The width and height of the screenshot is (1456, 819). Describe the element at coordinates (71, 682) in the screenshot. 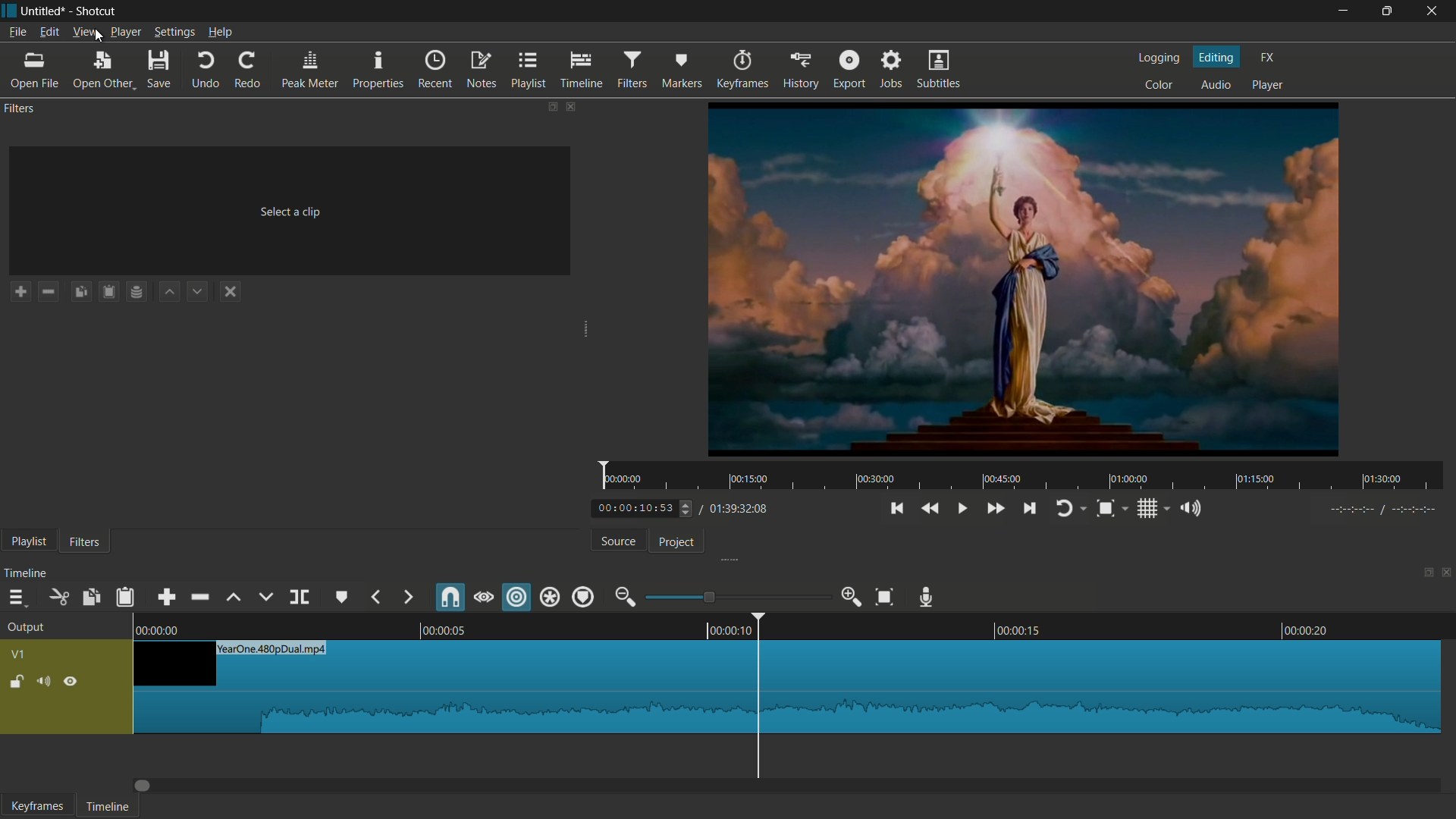

I see `hide` at that location.